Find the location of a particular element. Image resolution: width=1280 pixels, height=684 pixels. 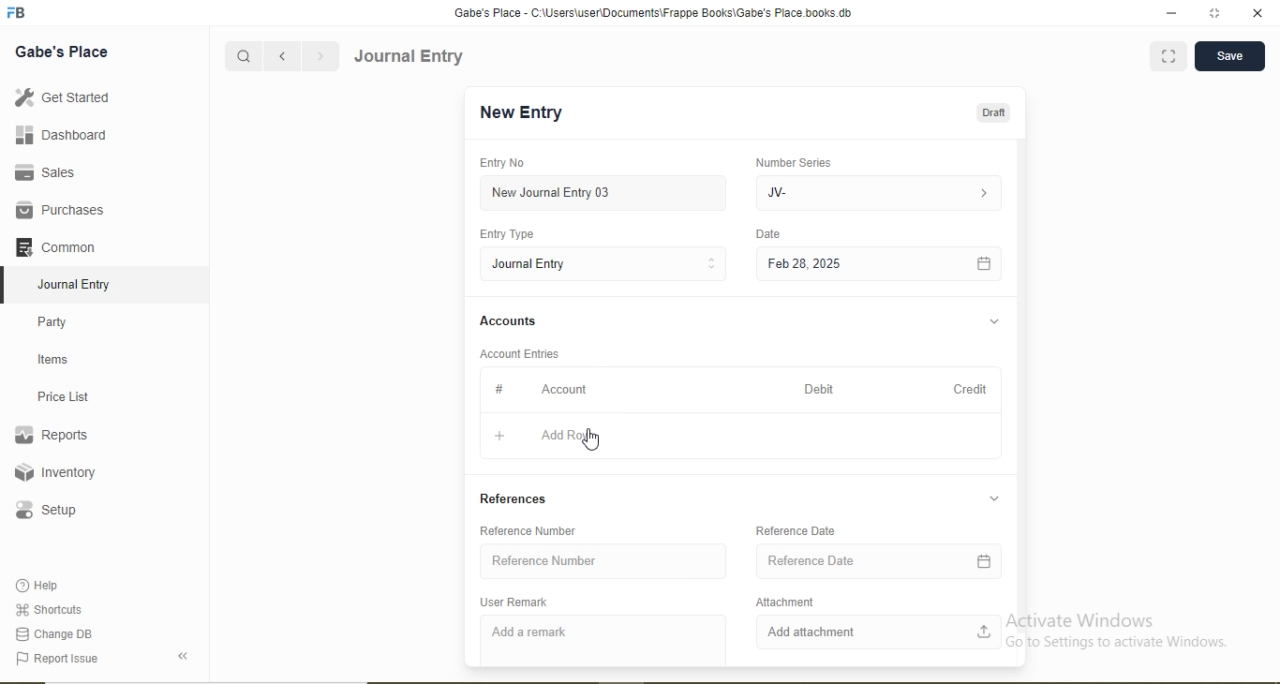

Shortcuts is located at coordinates (47, 609).